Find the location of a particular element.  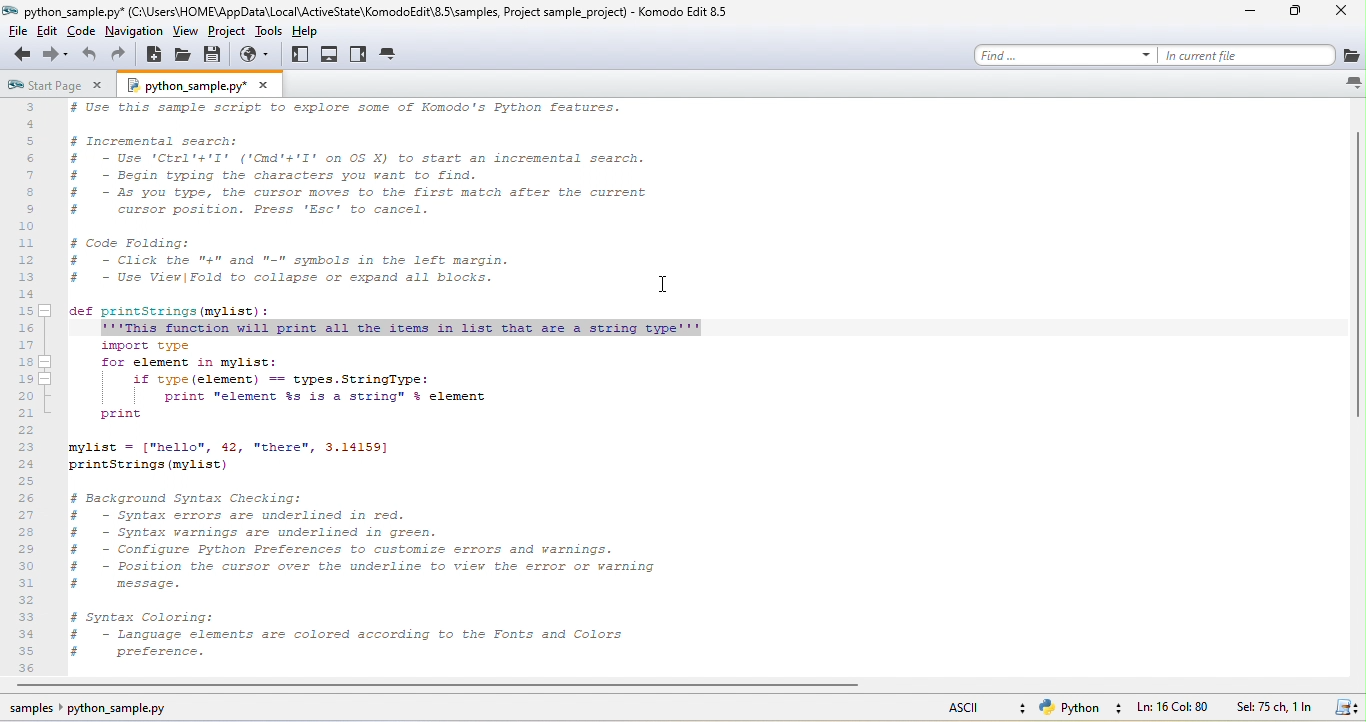

new is located at coordinates (156, 57).